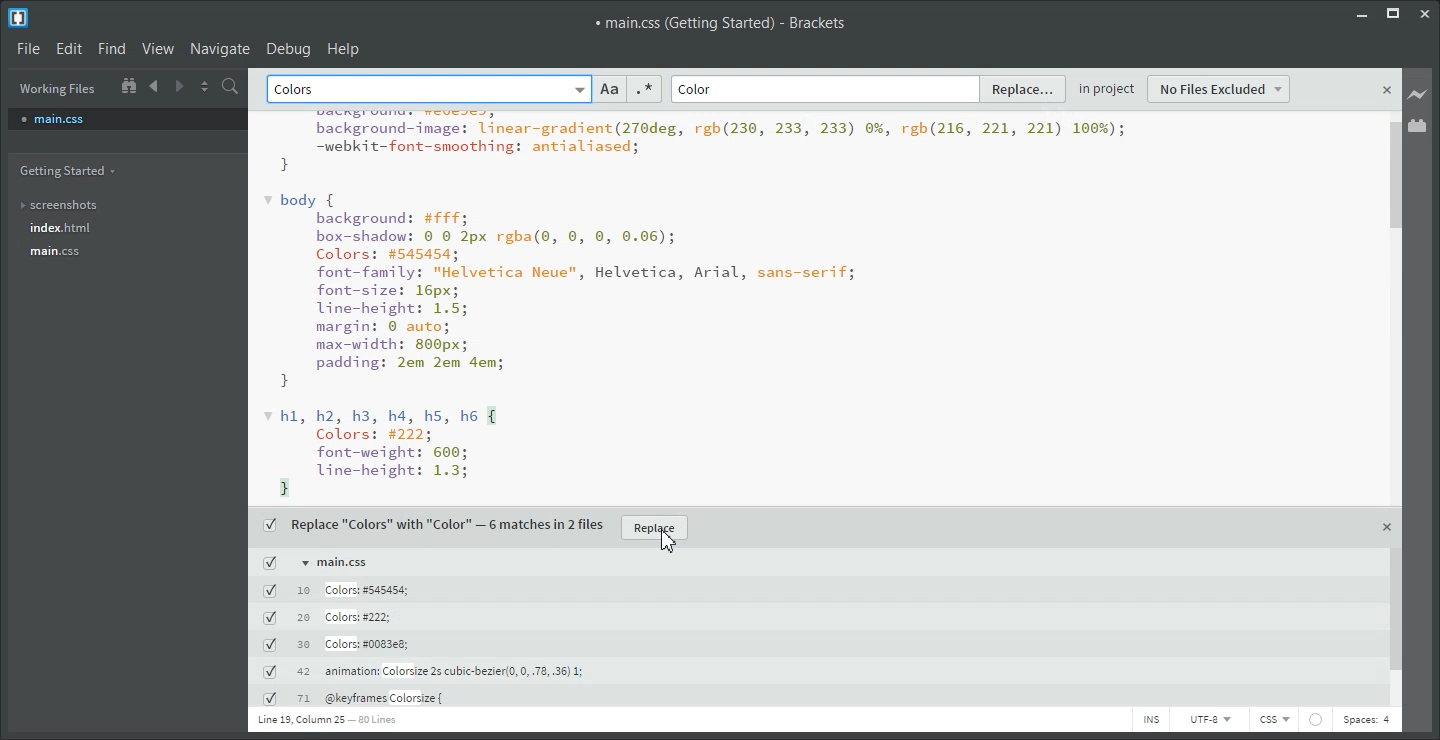  What do you see at coordinates (1367, 721) in the screenshot?
I see `Spaces: 4` at bounding box center [1367, 721].